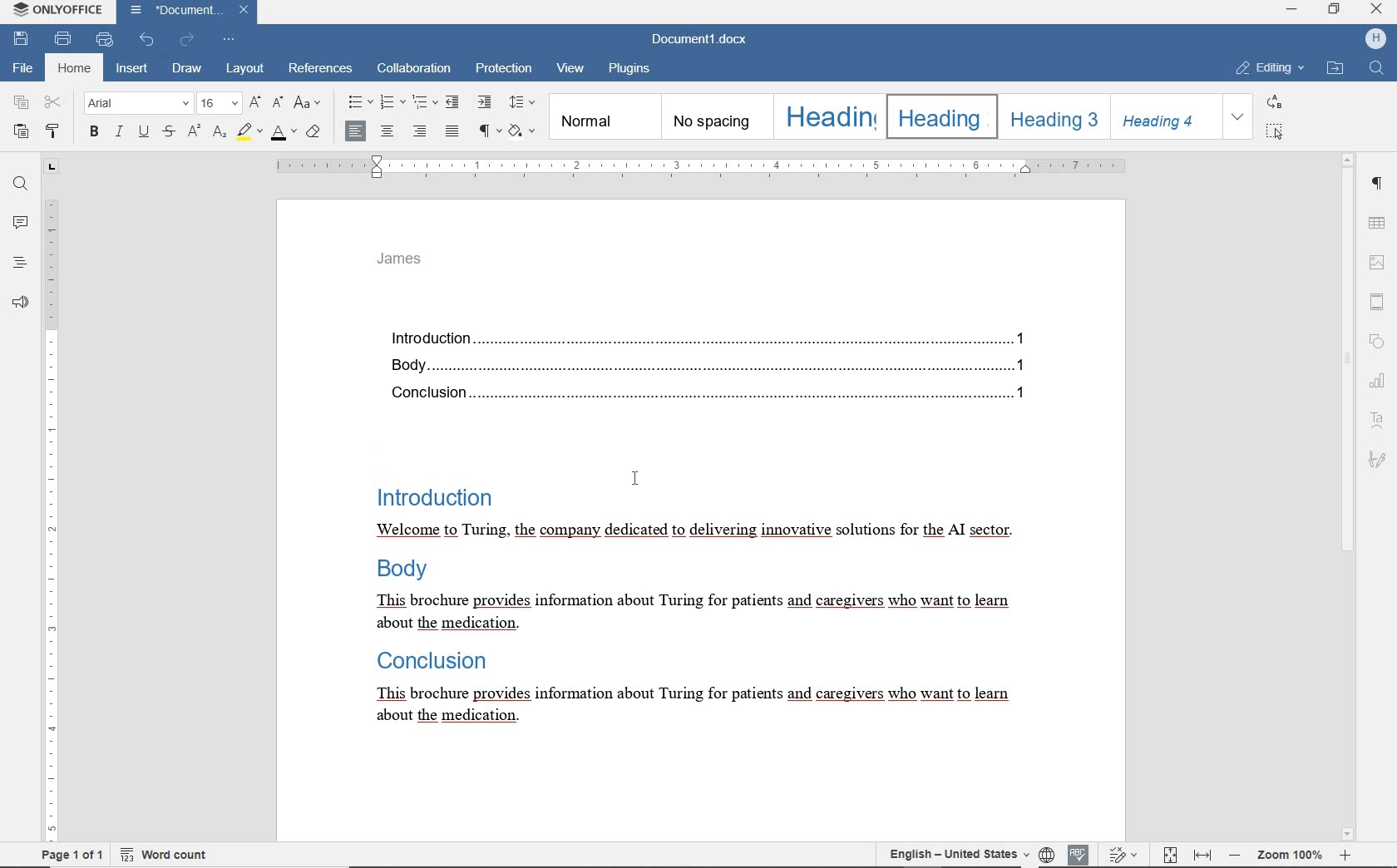 The width and height of the screenshot is (1397, 868). Describe the element at coordinates (19, 264) in the screenshot. I see `headings` at that location.